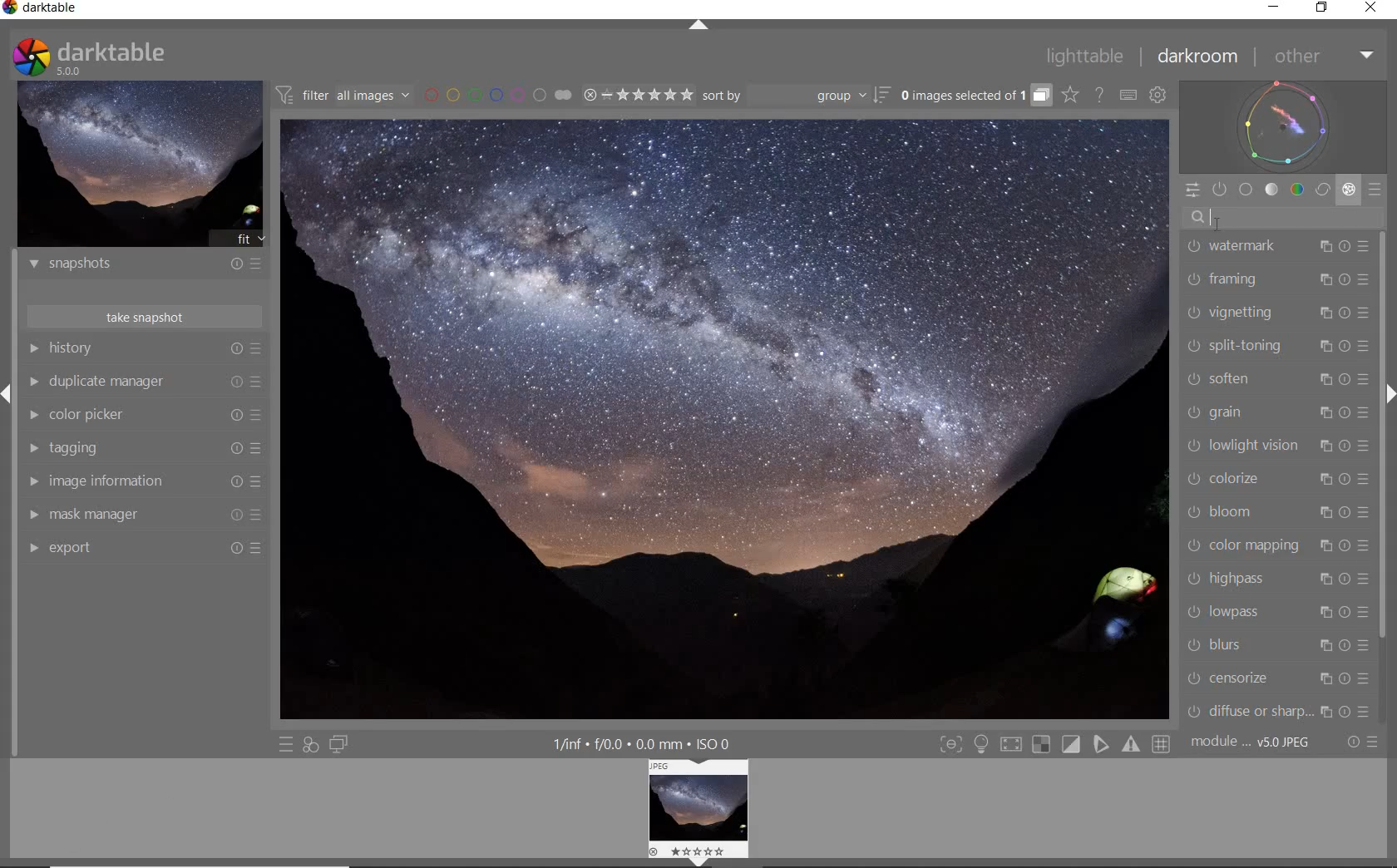 Image resolution: width=1397 pixels, height=868 pixels. What do you see at coordinates (641, 743) in the screenshot?
I see `DISPLAYED GUI INFO` at bounding box center [641, 743].